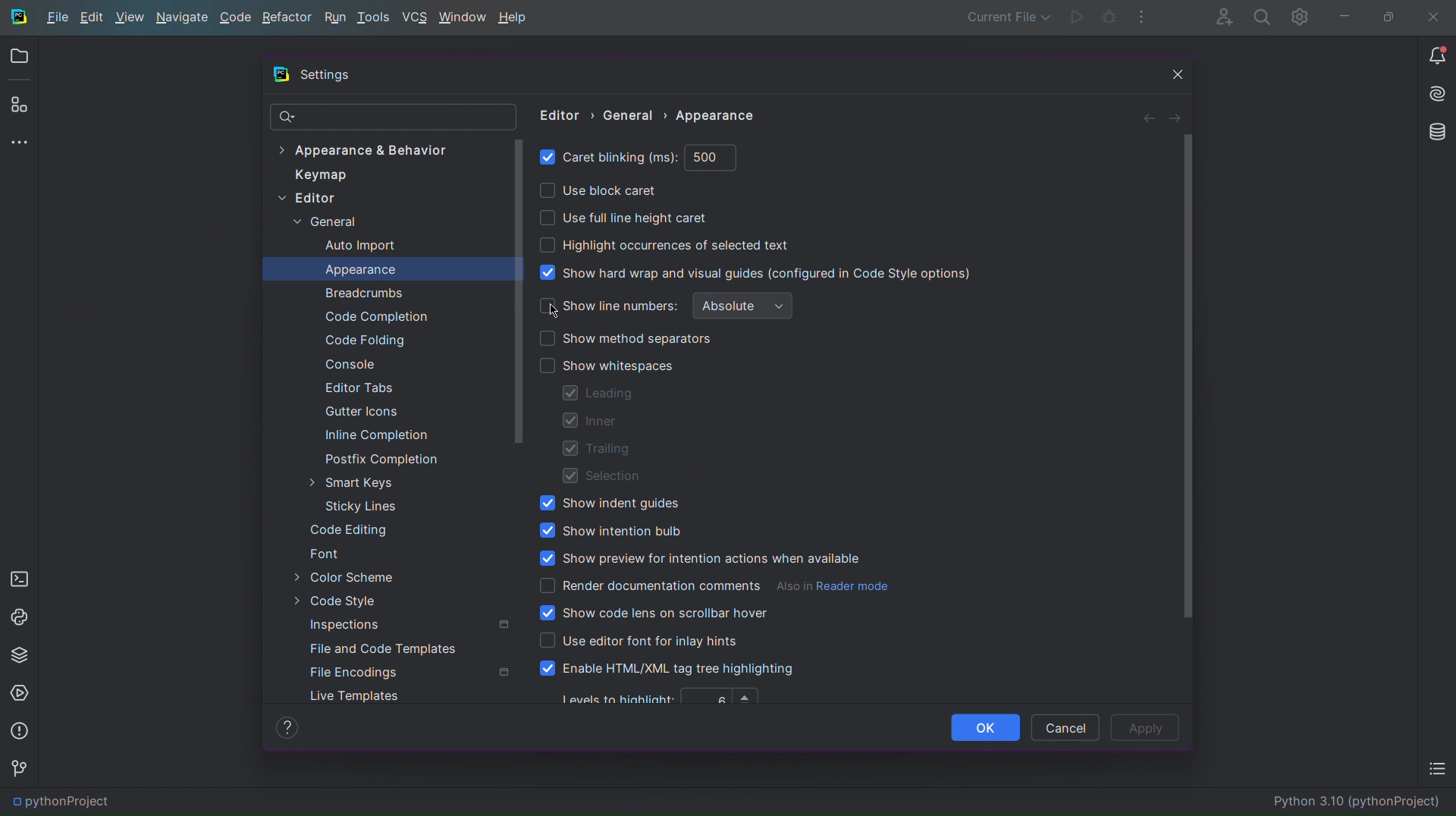 Image resolution: width=1456 pixels, height=816 pixels. Describe the element at coordinates (602, 394) in the screenshot. I see `Leading` at that location.